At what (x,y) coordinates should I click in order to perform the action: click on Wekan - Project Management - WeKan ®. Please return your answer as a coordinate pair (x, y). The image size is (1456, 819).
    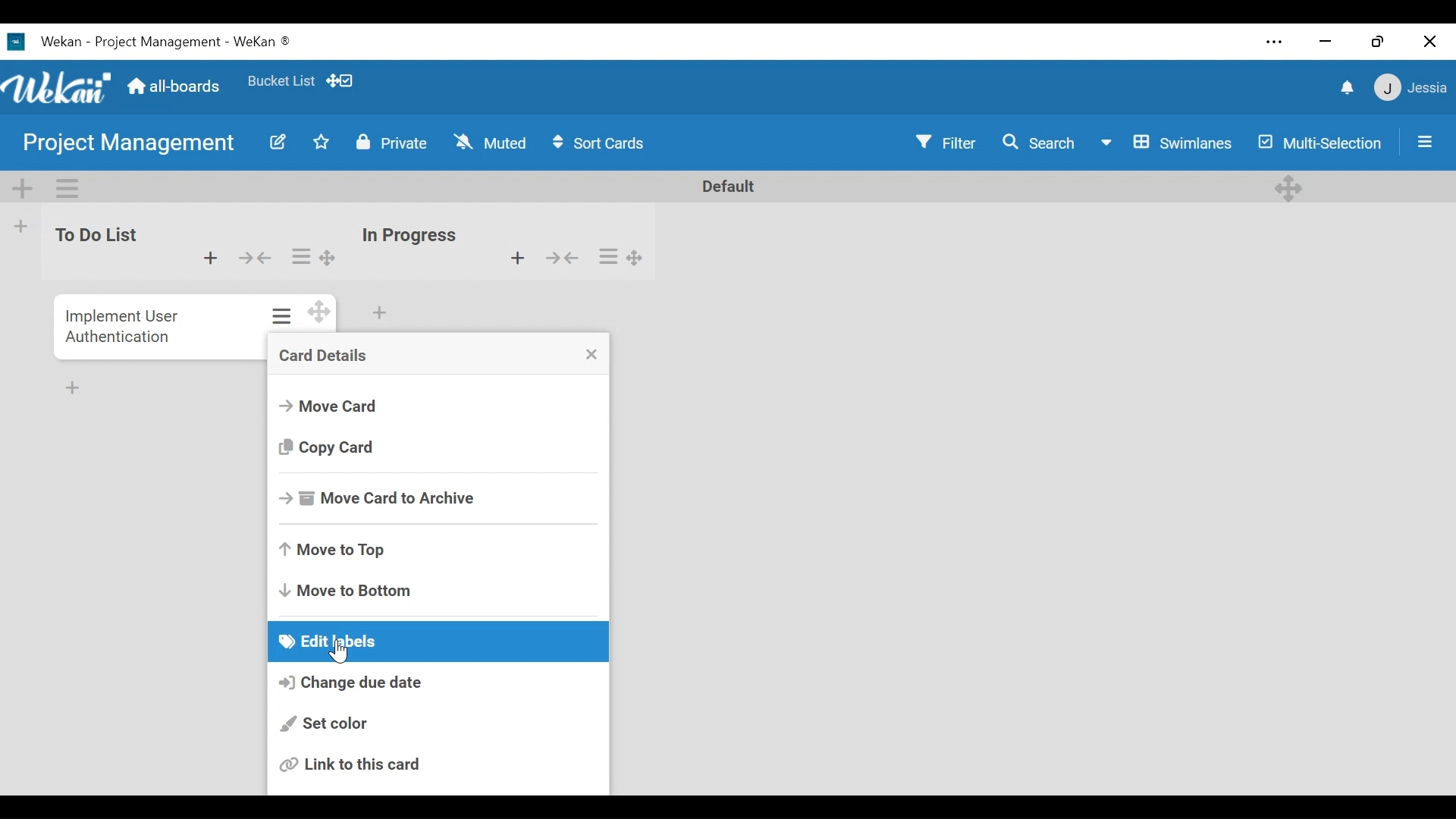
    Looking at the image, I should click on (169, 42).